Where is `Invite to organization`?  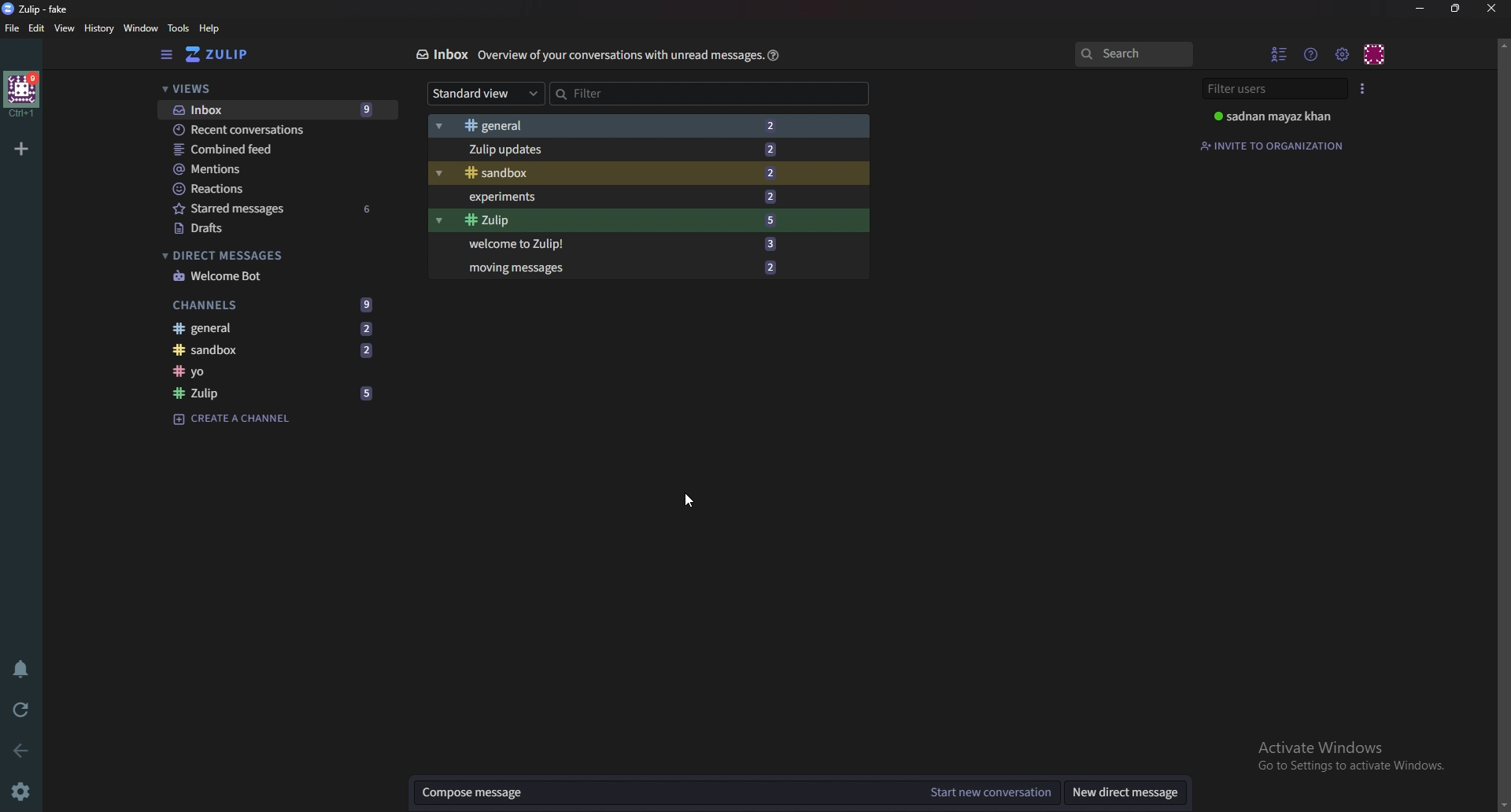
Invite to organization is located at coordinates (1277, 145).